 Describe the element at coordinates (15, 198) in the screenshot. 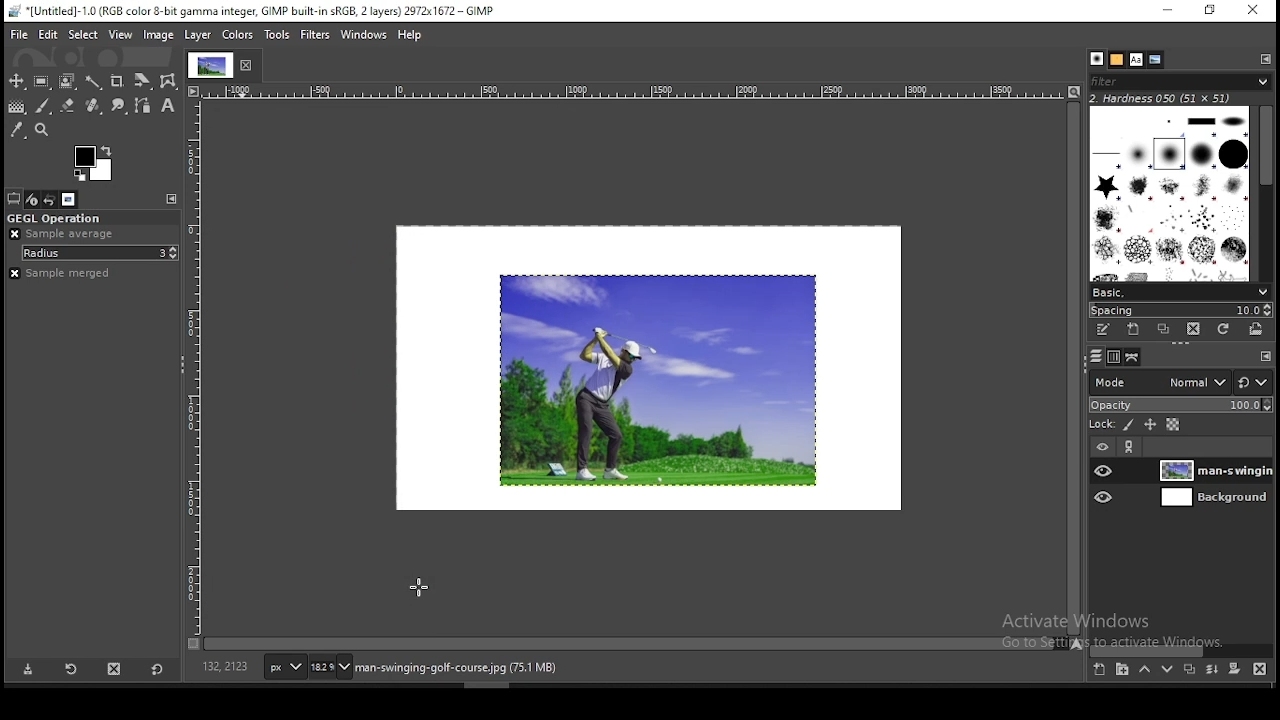

I see `tool options` at that location.